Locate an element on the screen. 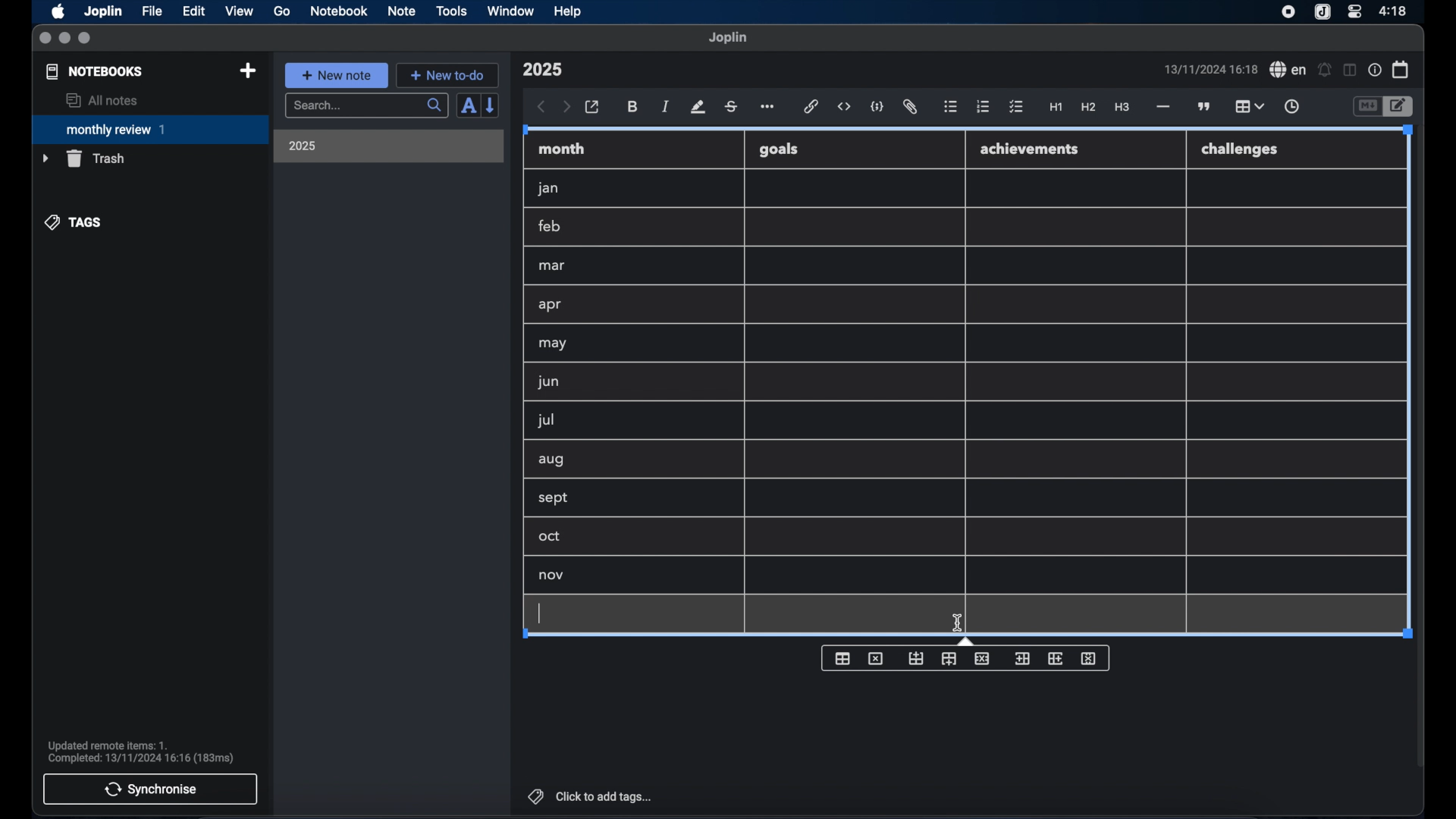  more options is located at coordinates (769, 108).